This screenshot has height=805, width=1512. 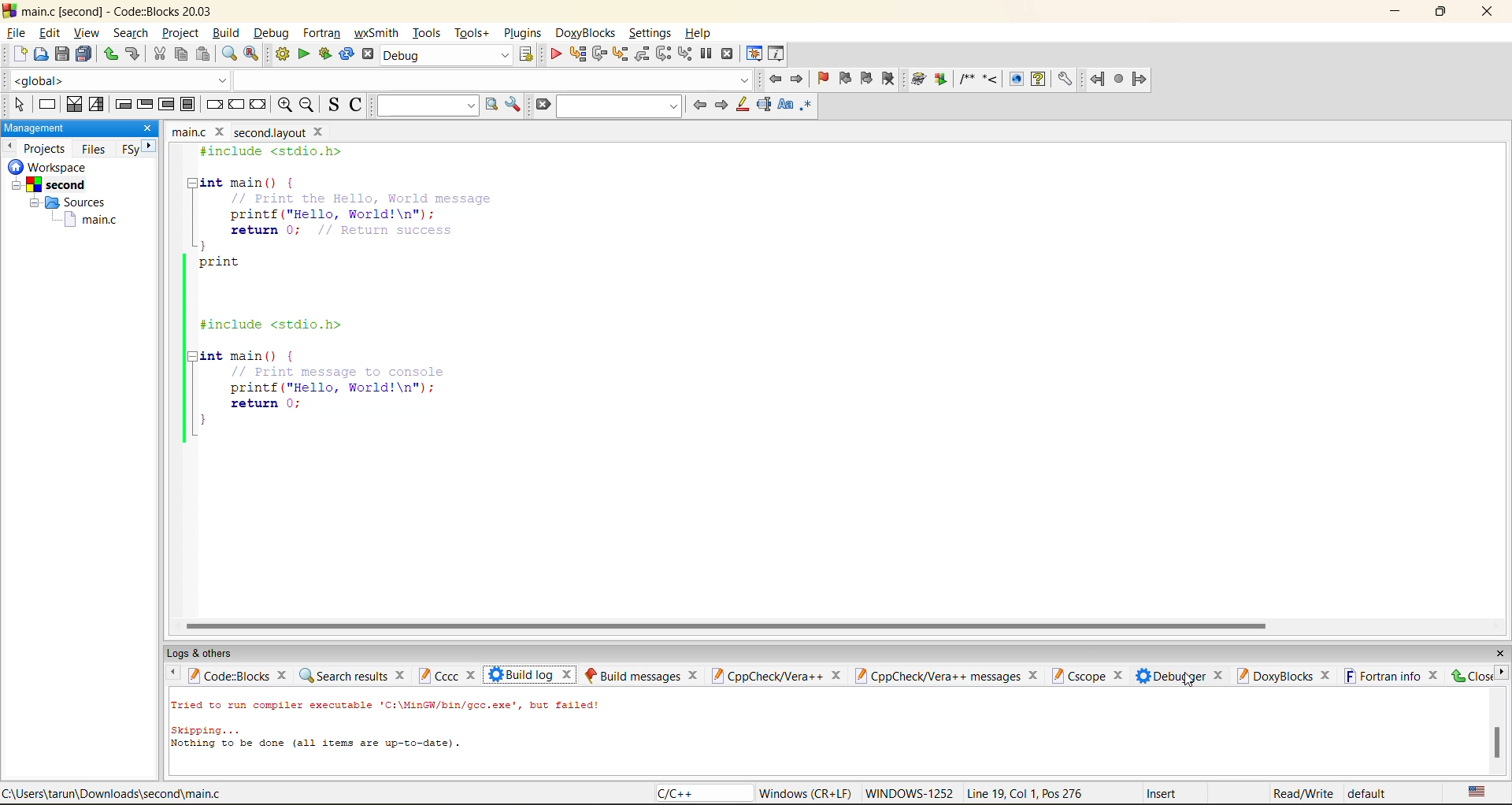 I want to click on debugger, so click(x=1180, y=677).